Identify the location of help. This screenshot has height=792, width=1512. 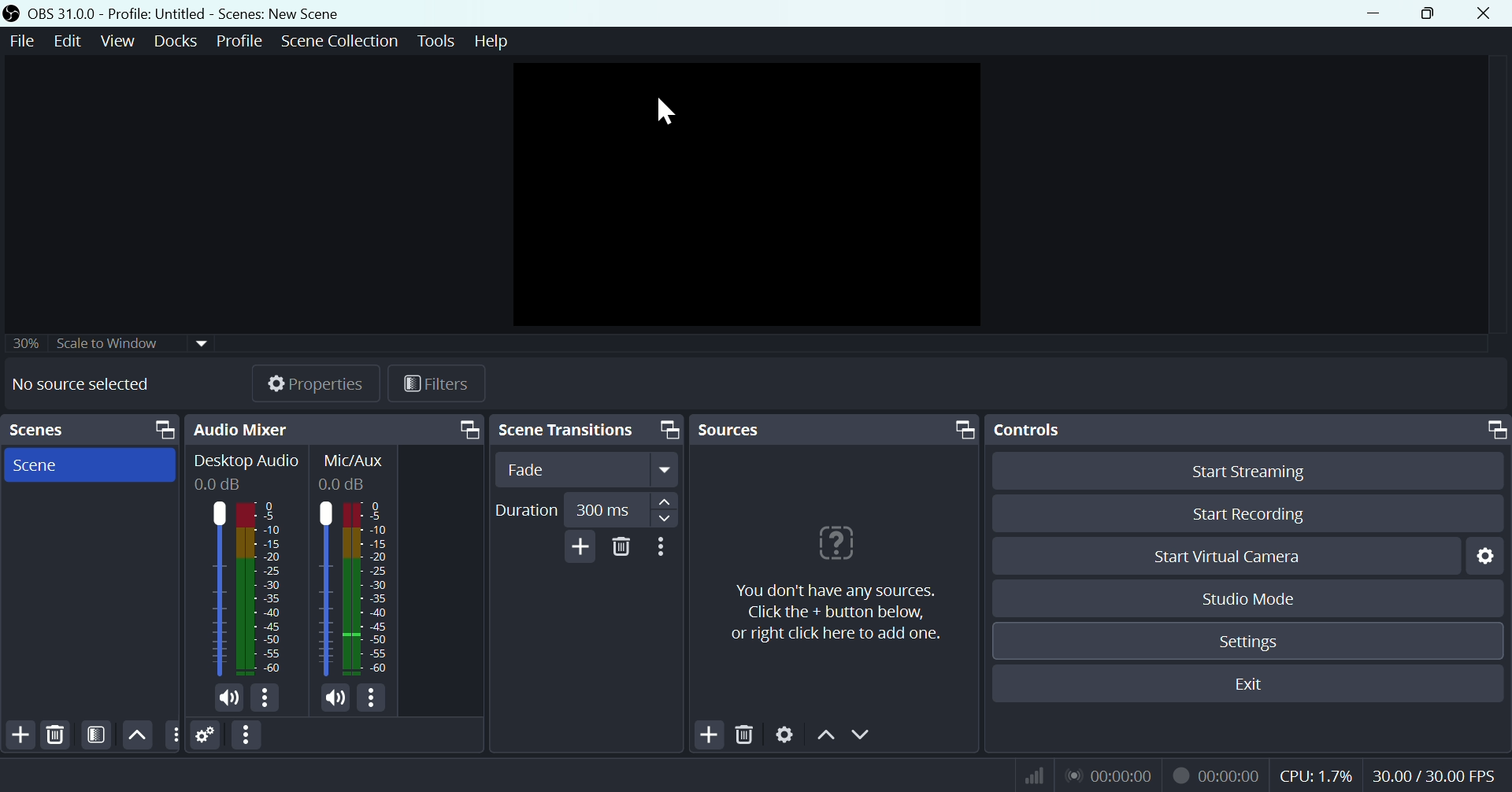
(500, 45).